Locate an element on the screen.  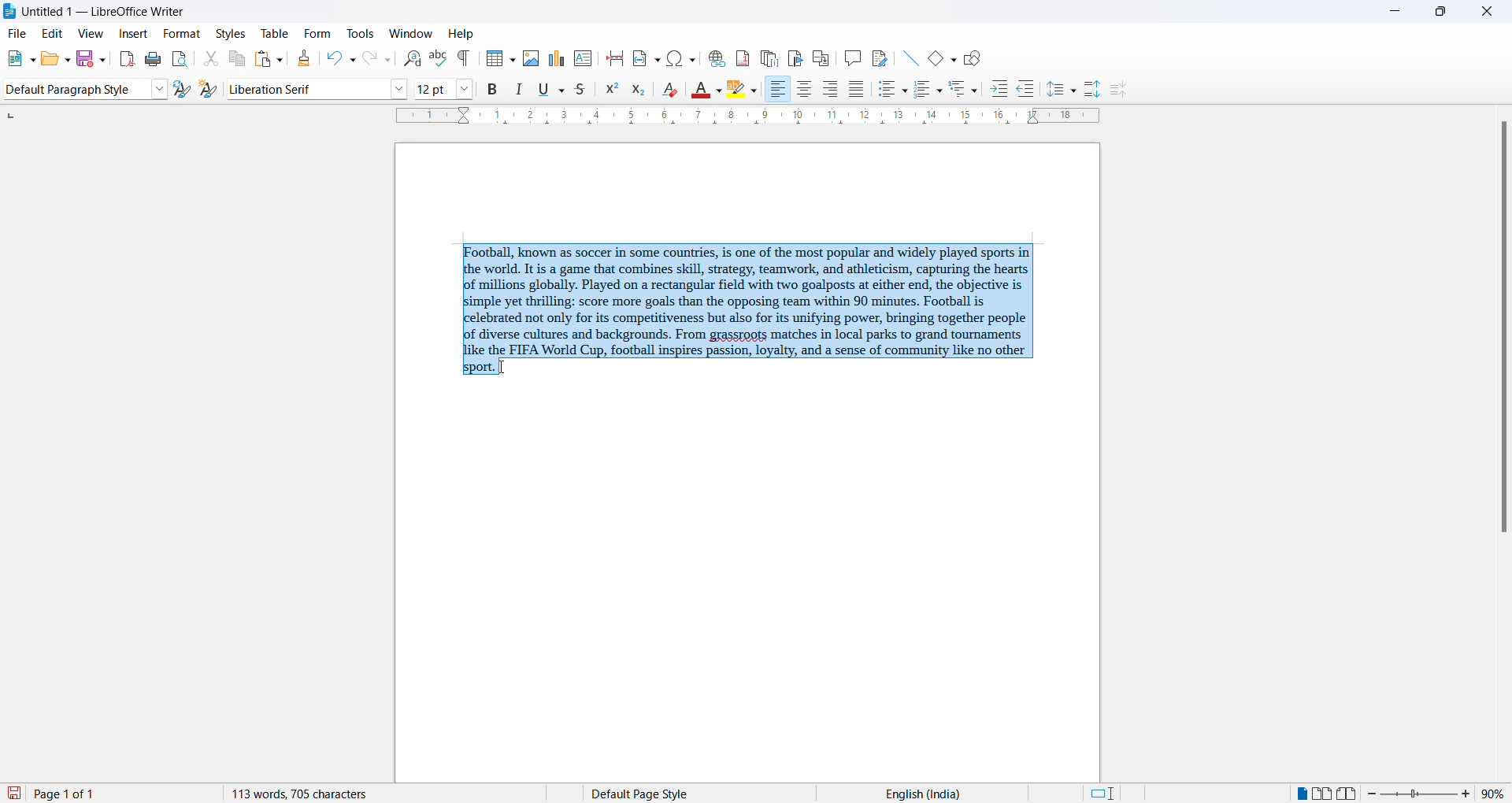
open file is located at coordinates (46, 59).